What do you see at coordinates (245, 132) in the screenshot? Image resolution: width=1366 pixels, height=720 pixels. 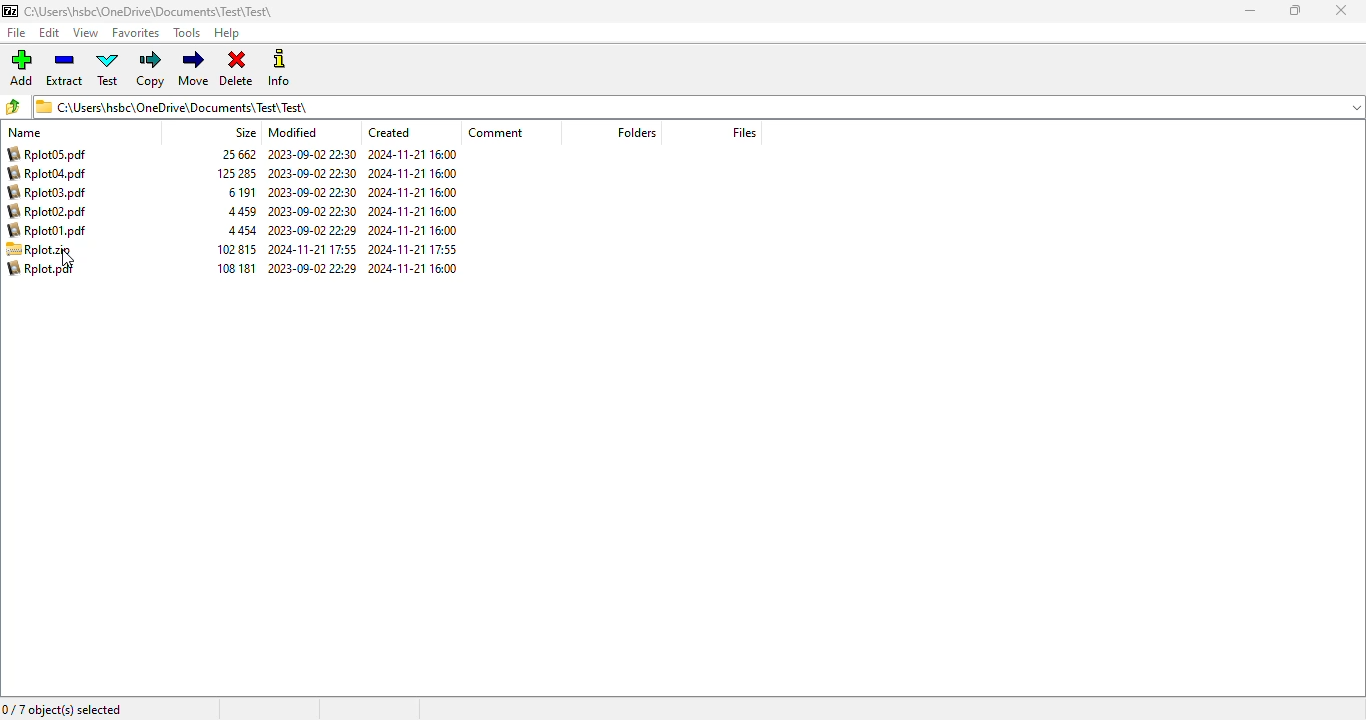 I see `size` at bounding box center [245, 132].